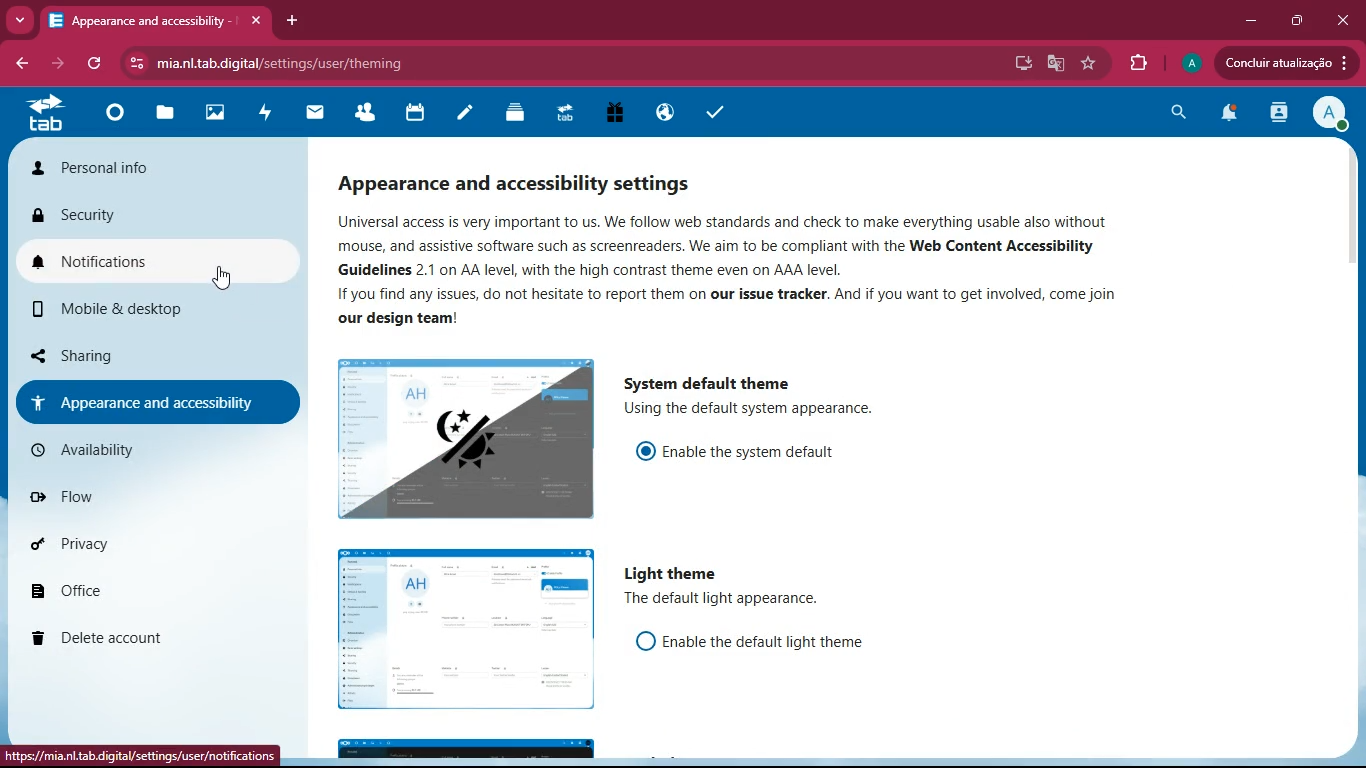  I want to click on Enable the default light theme, so click(773, 642).